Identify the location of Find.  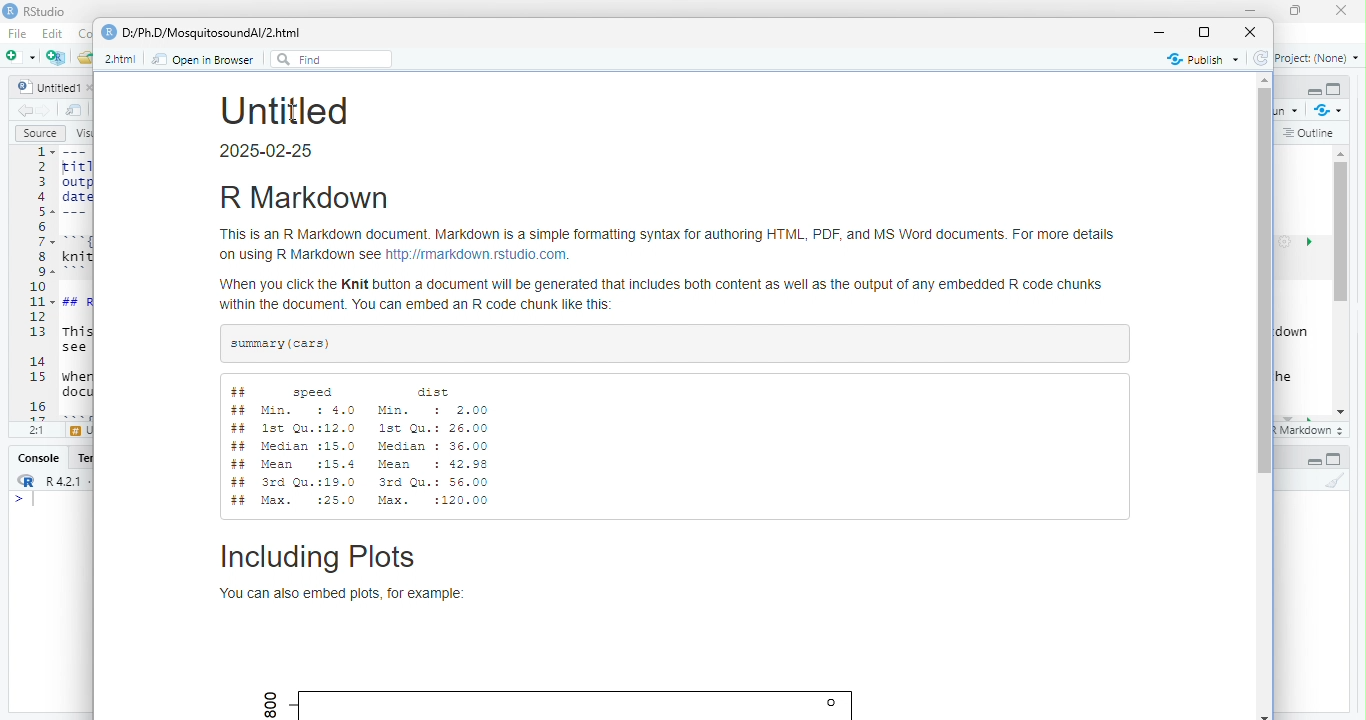
(332, 60).